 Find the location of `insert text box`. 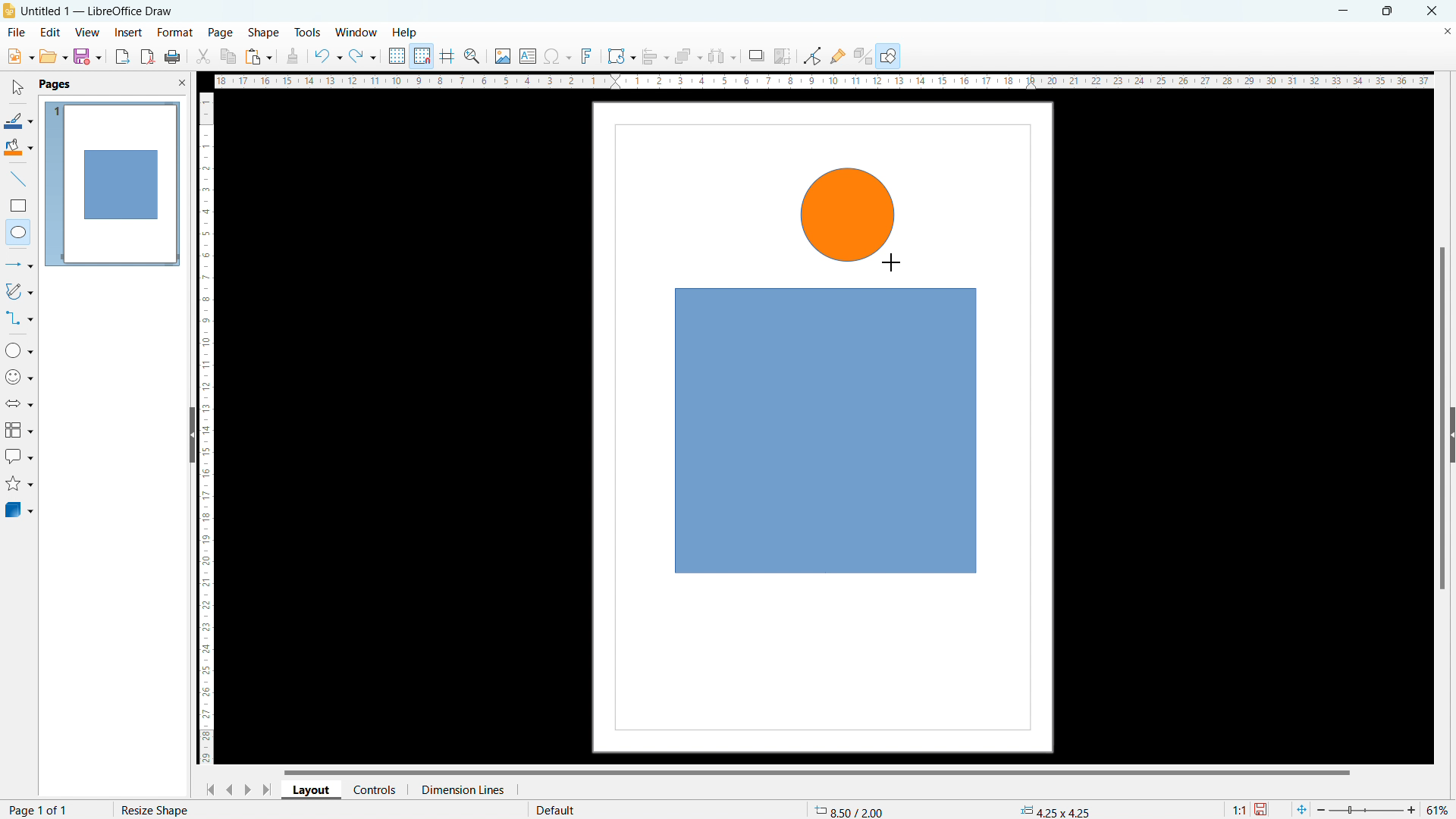

insert text box is located at coordinates (529, 55).